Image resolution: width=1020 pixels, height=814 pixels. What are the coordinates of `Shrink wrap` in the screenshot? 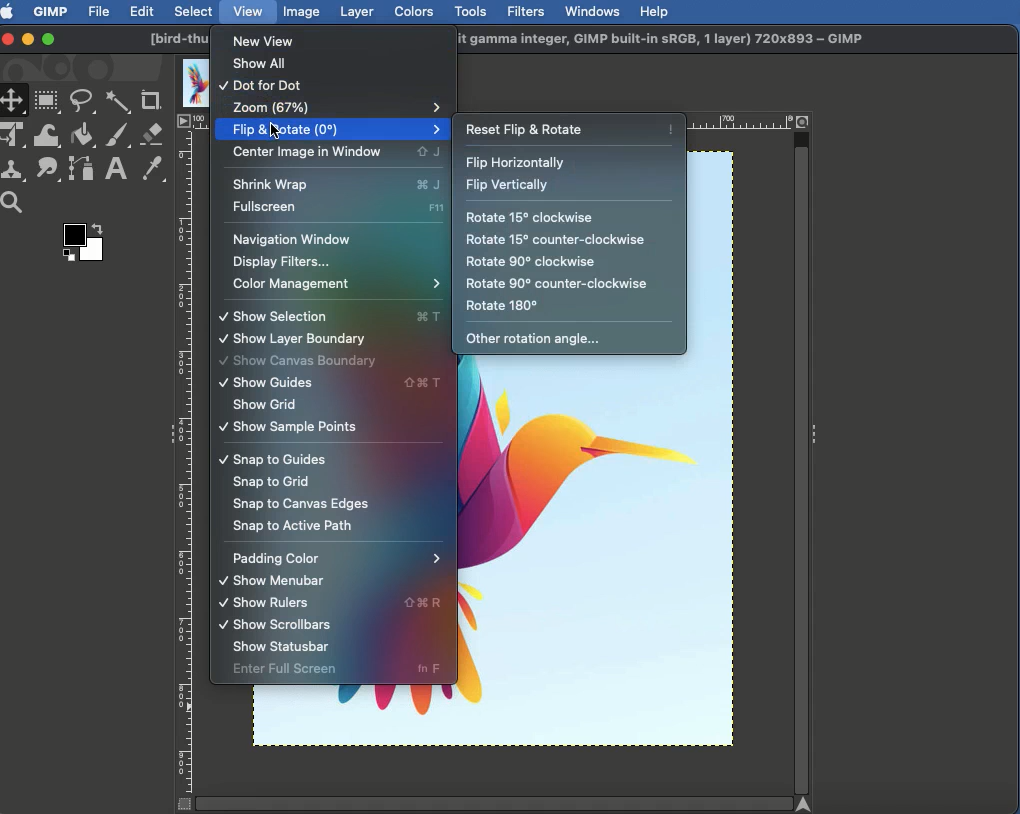 It's located at (304, 183).